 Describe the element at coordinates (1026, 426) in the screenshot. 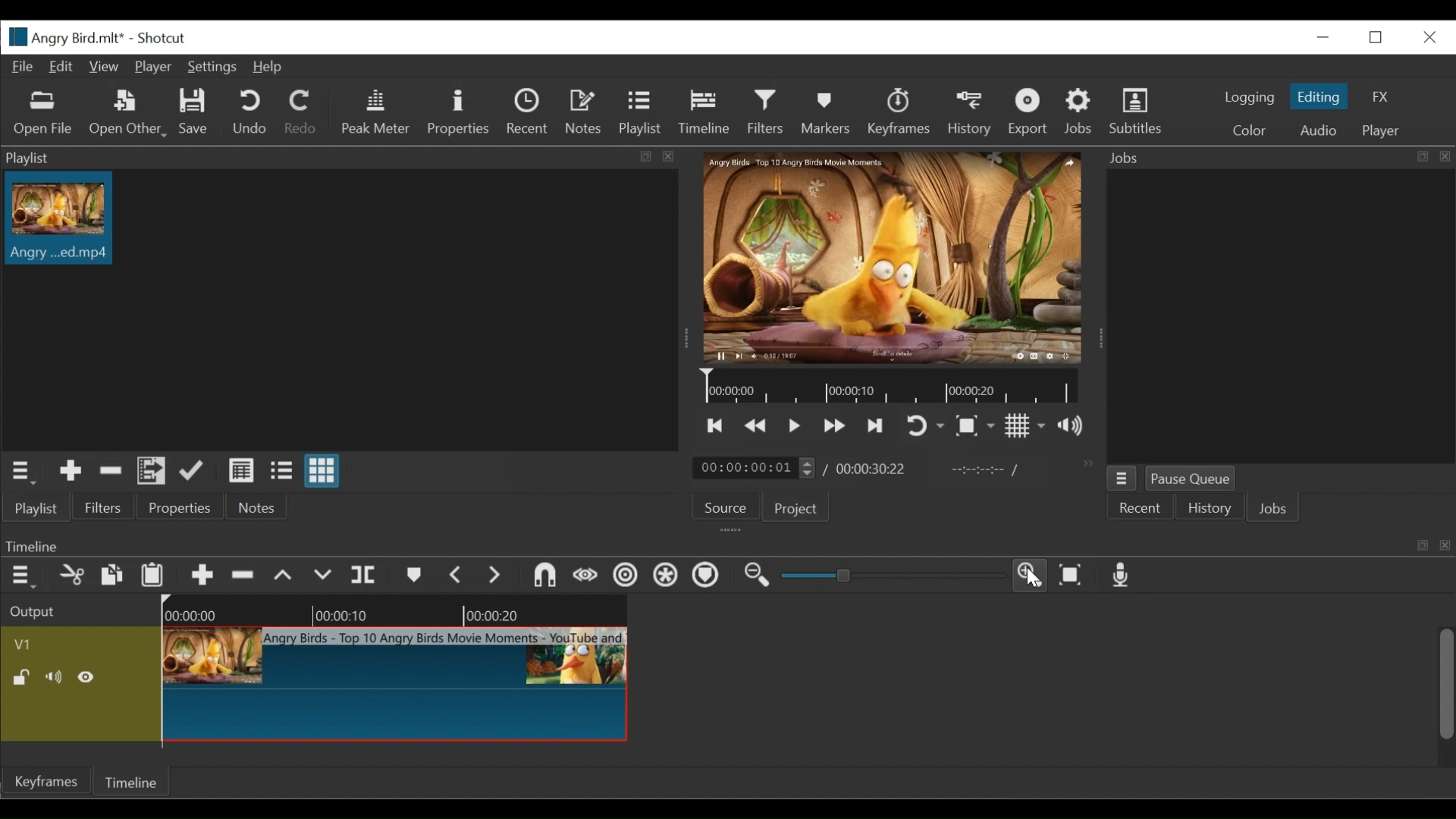

I see `Toggle display grid on player` at that location.